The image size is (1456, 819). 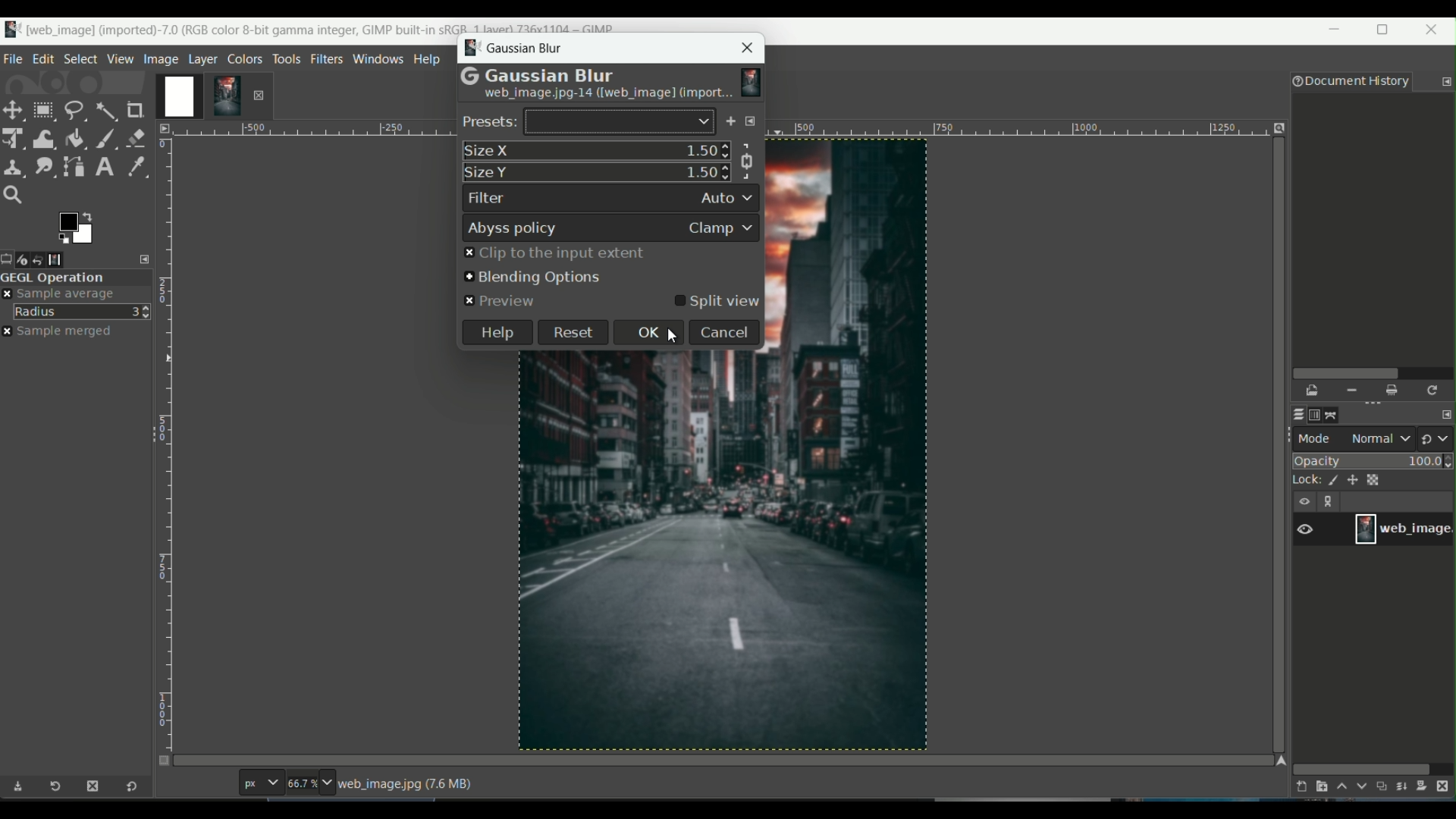 I want to click on document history, so click(x=1348, y=83).